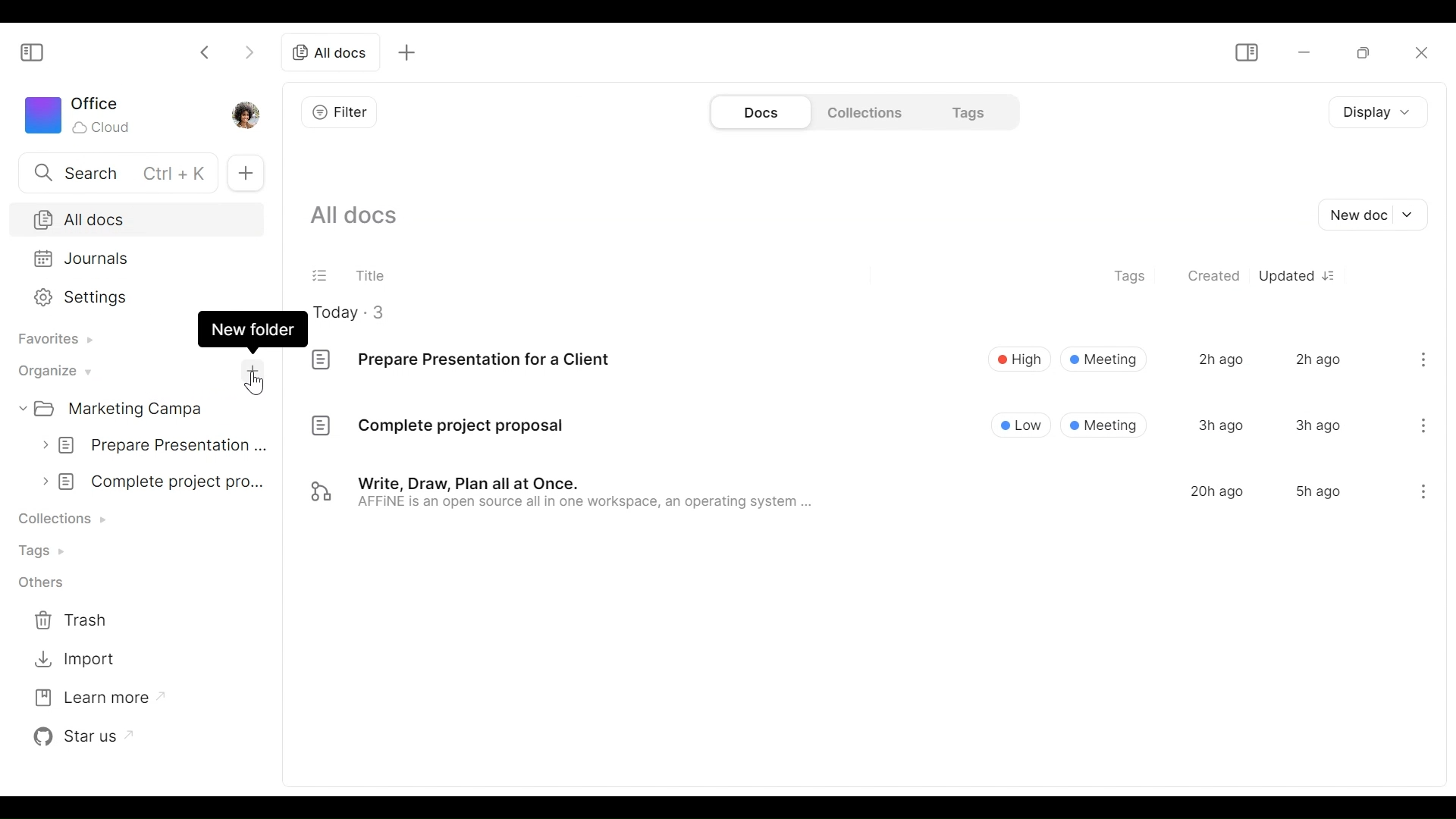 This screenshot has height=819, width=1456. I want to click on 3h ago, so click(1221, 425).